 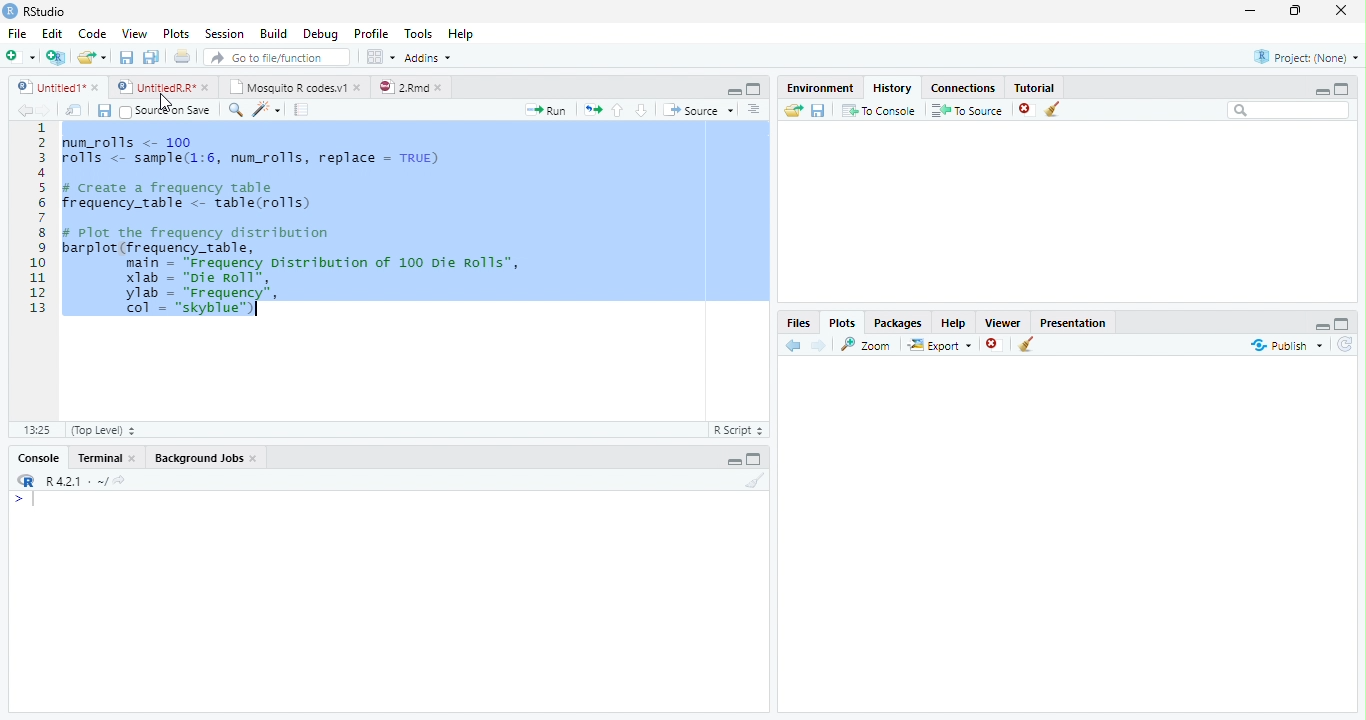 What do you see at coordinates (1322, 327) in the screenshot?
I see `Hide` at bounding box center [1322, 327].